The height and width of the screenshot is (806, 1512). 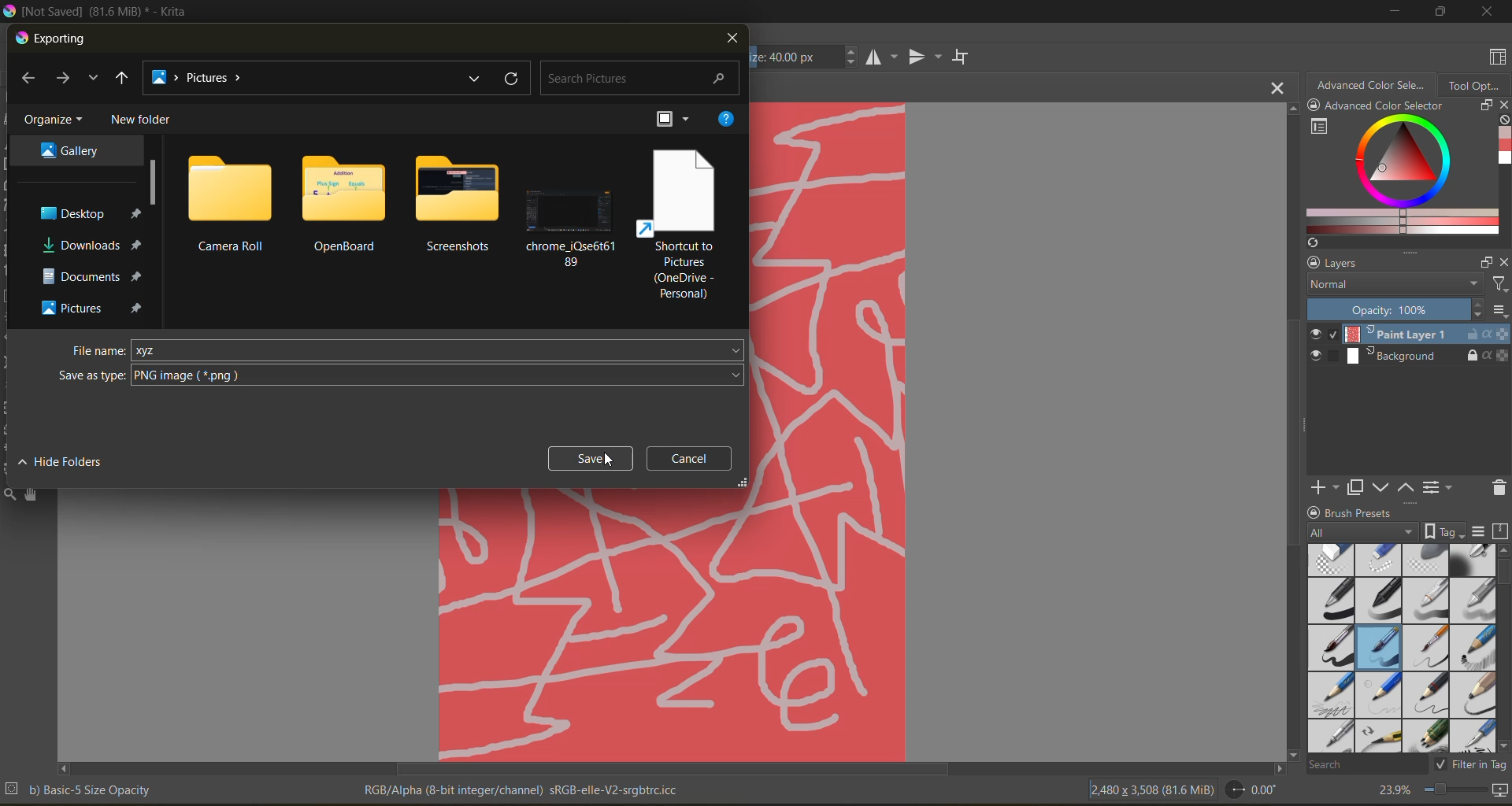 I want to click on zoom, so click(x=1455, y=792).